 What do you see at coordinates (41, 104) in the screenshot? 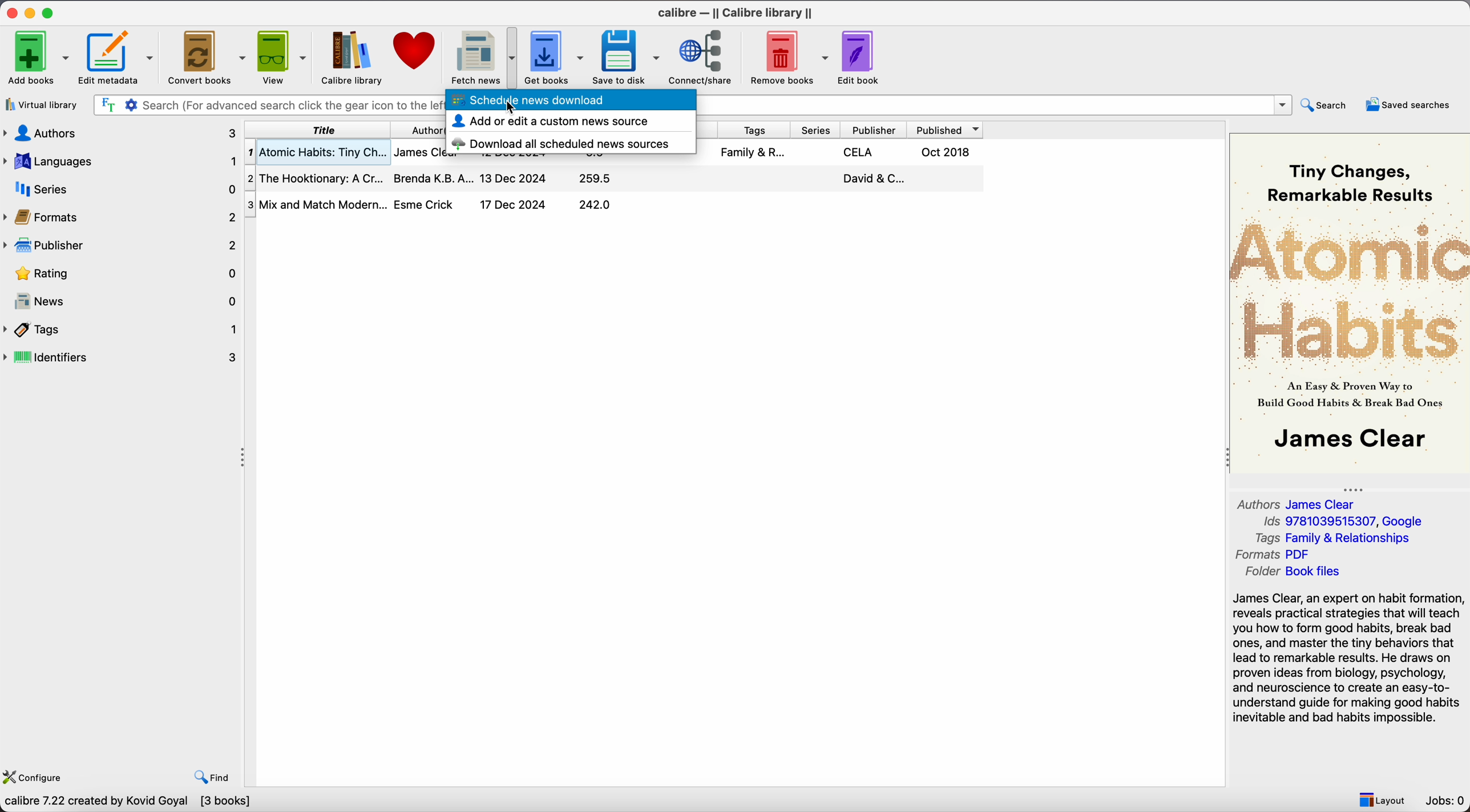
I see `virtual library` at bounding box center [41, 104].